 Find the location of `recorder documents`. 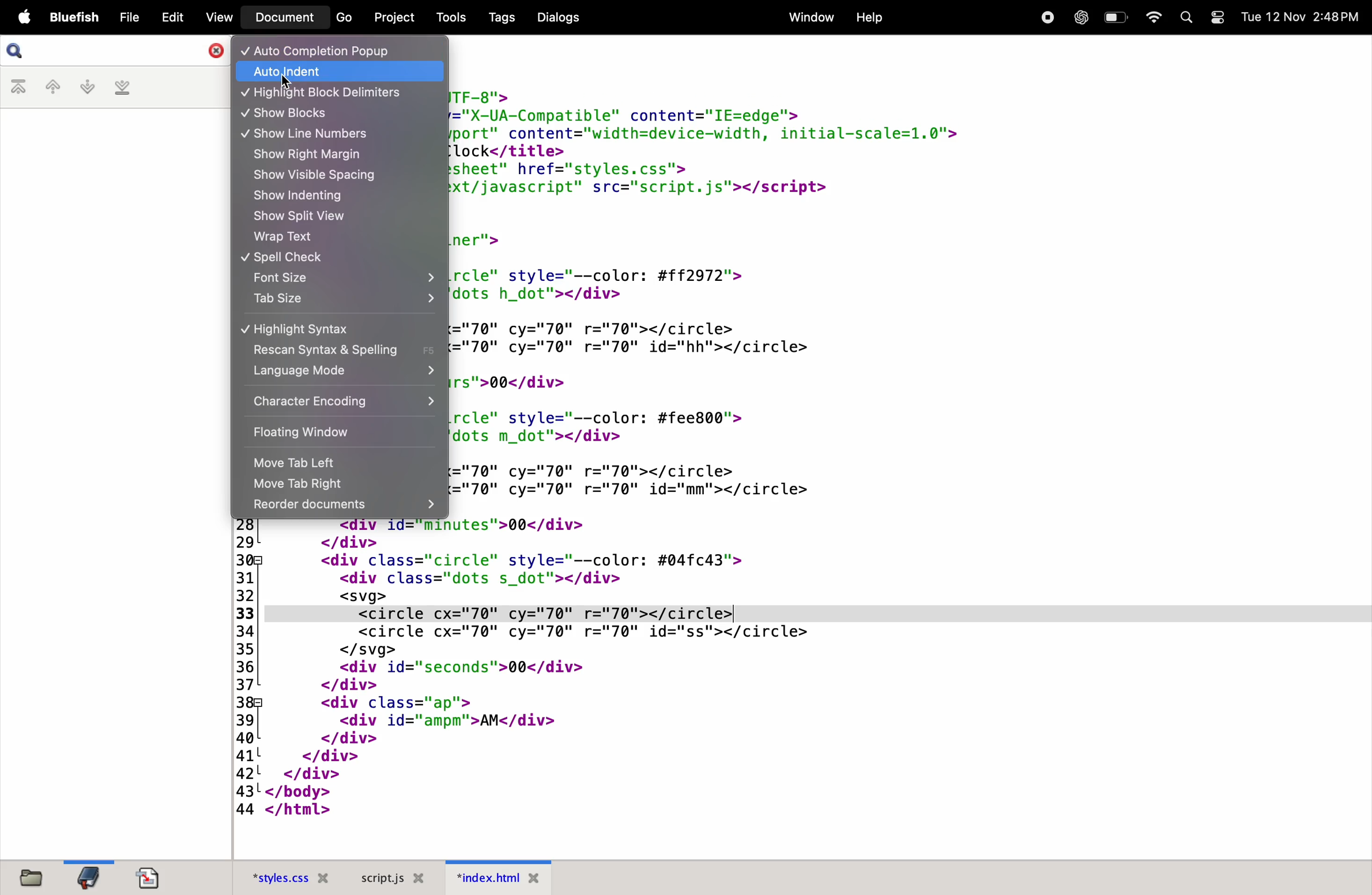

recorder documents is located at coordinates (341, 506).